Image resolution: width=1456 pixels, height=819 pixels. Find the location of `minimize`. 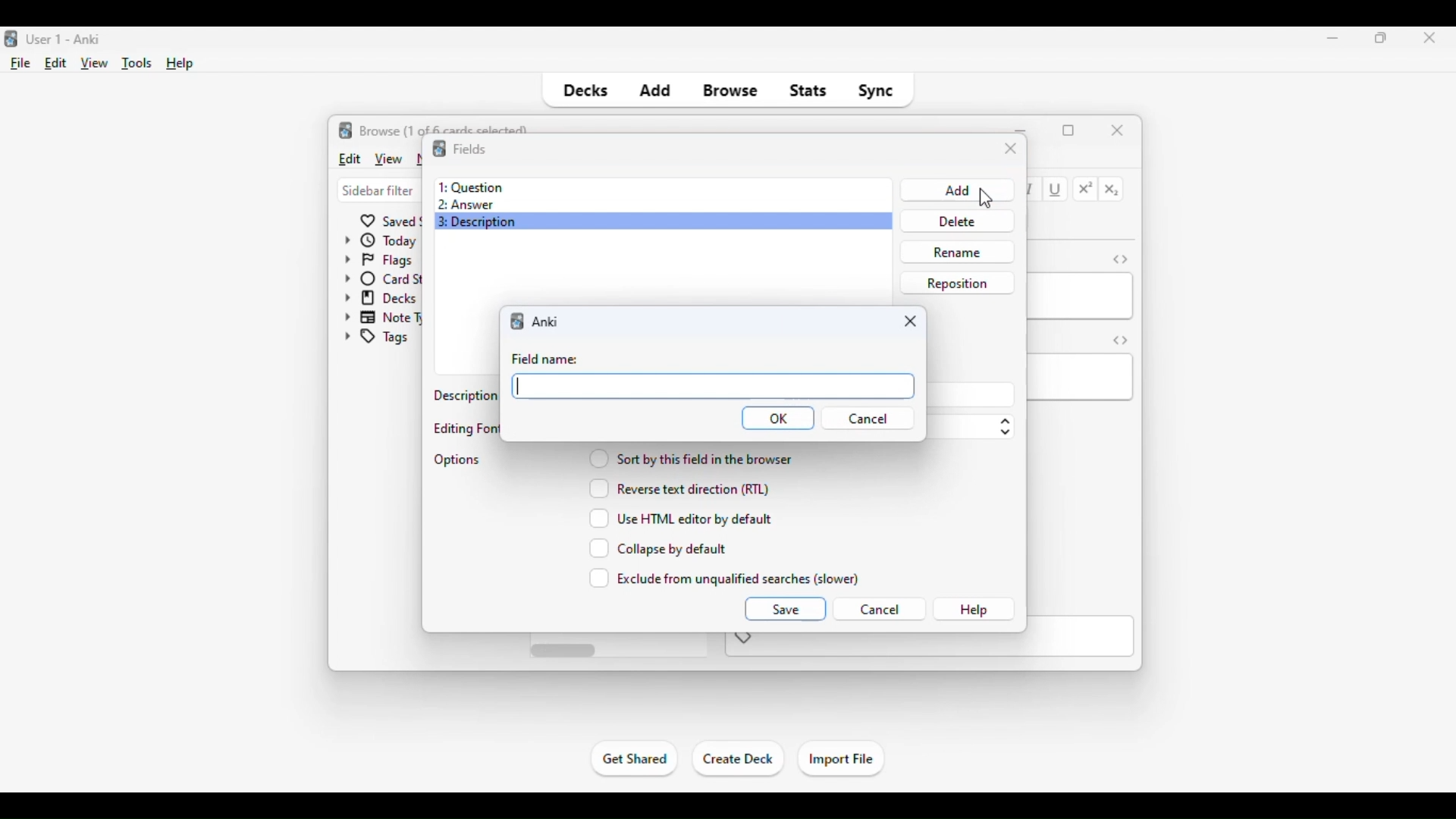

minimize is located at coordinates (1022, 129).